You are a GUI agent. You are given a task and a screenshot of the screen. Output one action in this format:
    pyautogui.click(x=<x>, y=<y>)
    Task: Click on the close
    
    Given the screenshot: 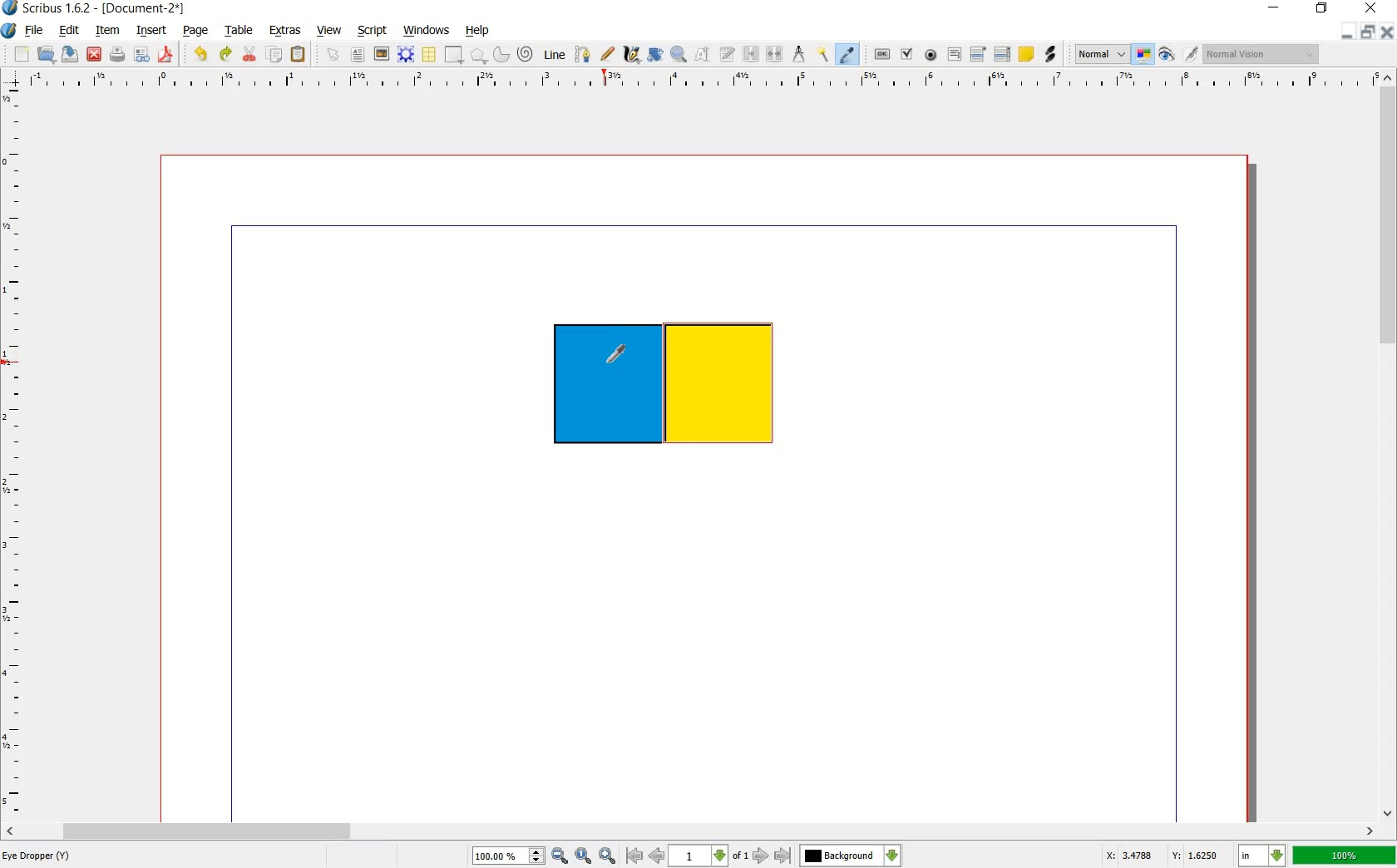 What is the action you would take?
    pyautogui.click(x=1372, y=7)
    